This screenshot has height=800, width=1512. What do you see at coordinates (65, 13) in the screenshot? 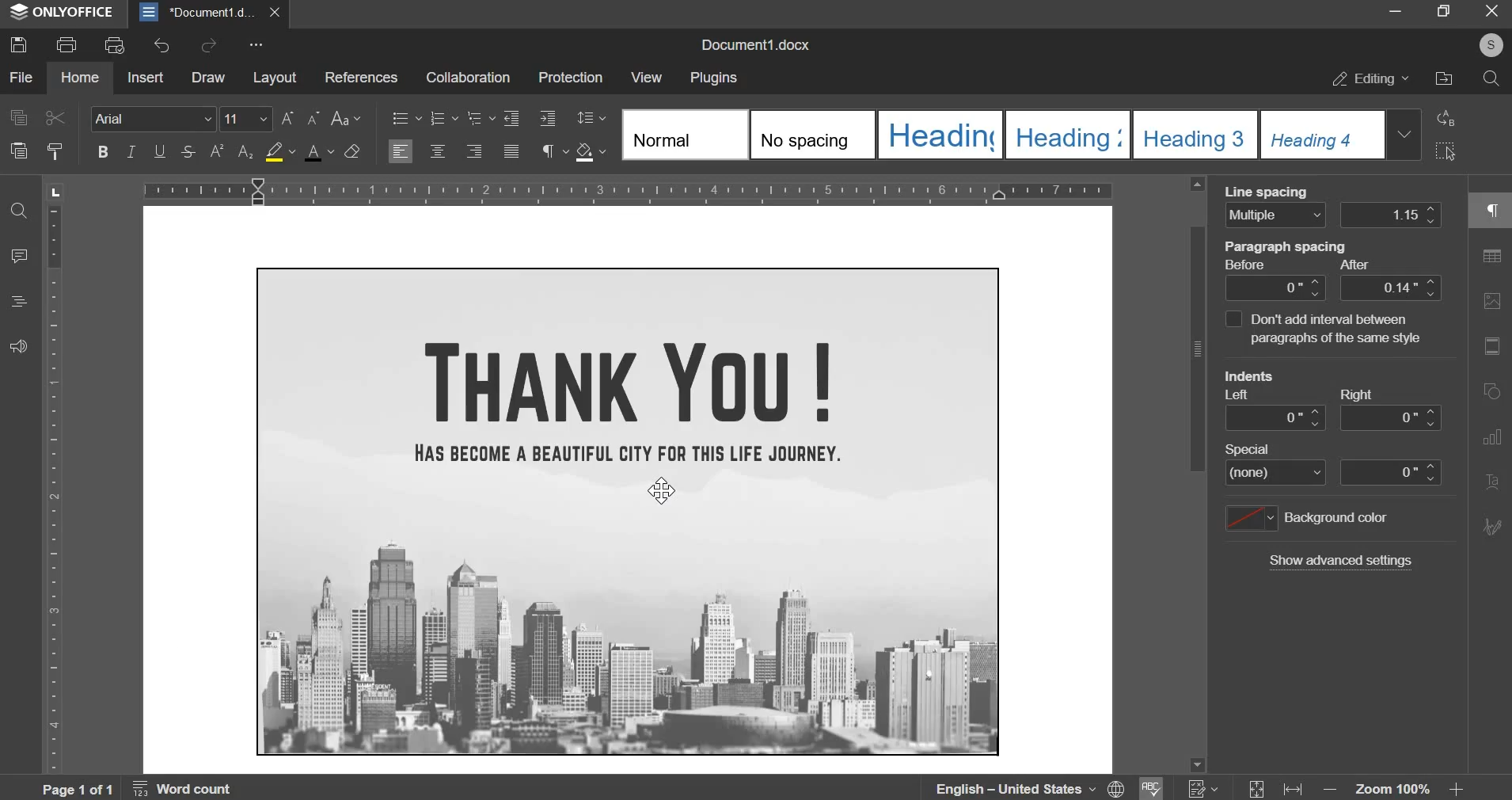
I see `ONLYOFFICE` at bounding box center [65, 13].